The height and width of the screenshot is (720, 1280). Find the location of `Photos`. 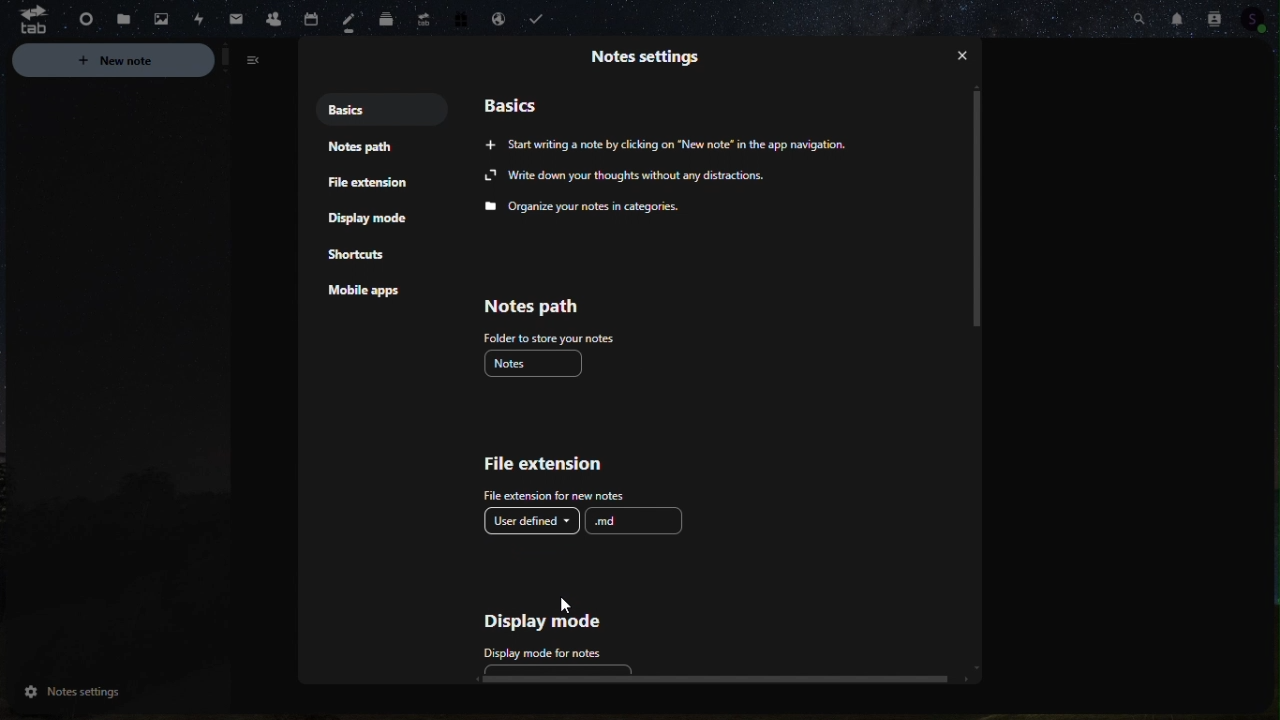

Photos is located at coordinates (161, 19).